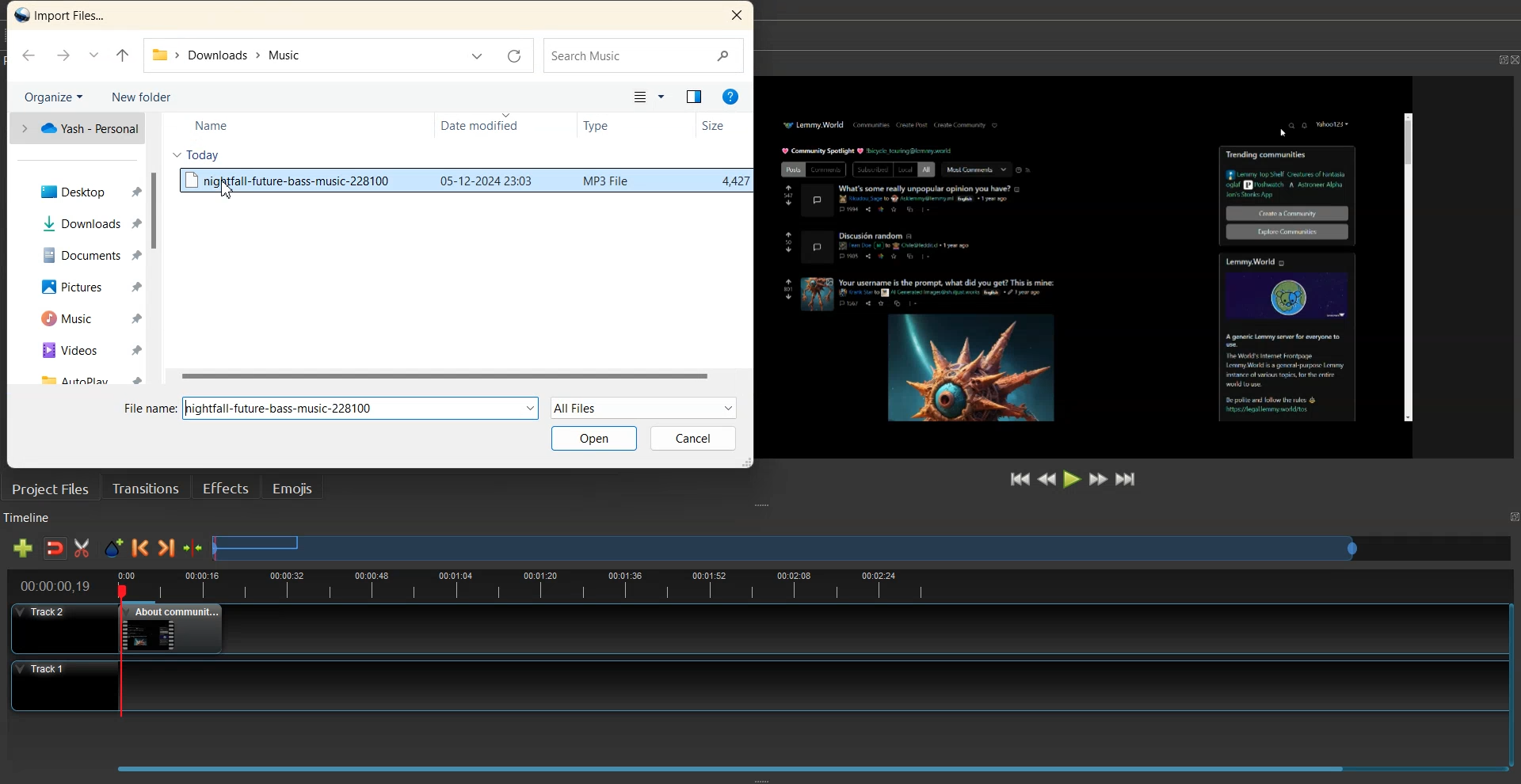 The height and width of the screenshot is (784, 1521). Describe the element at coordinates (1047, 478) in the screenshot. I see `Rewind` at that location.